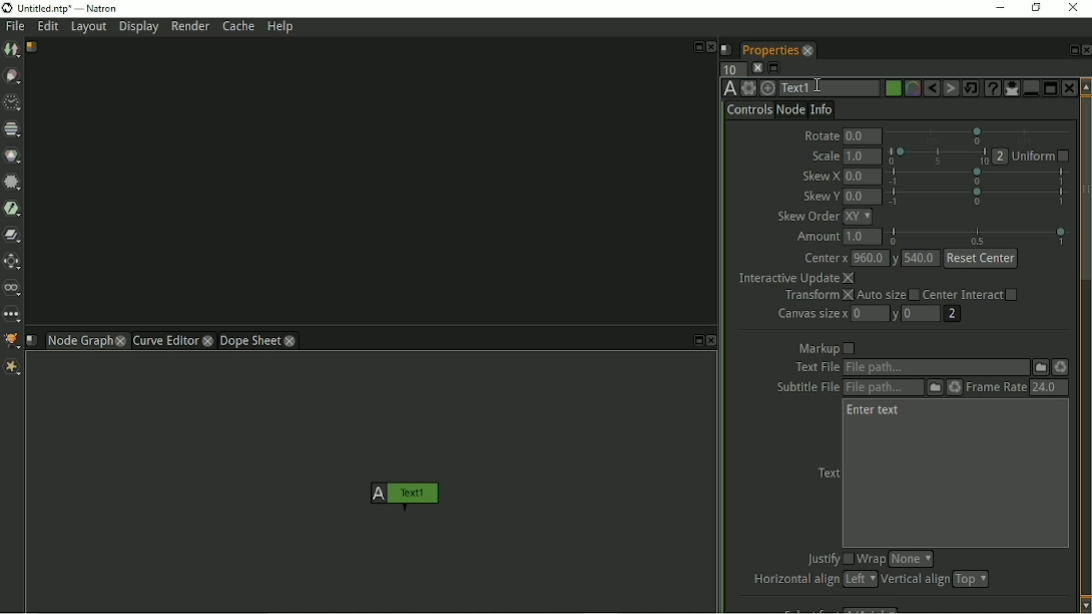 Image resolution: width=1092 pixels, height=614 pixels. Describe the element at coordinates (820, 133) in the screenshot. I see `Rotate` at that location.